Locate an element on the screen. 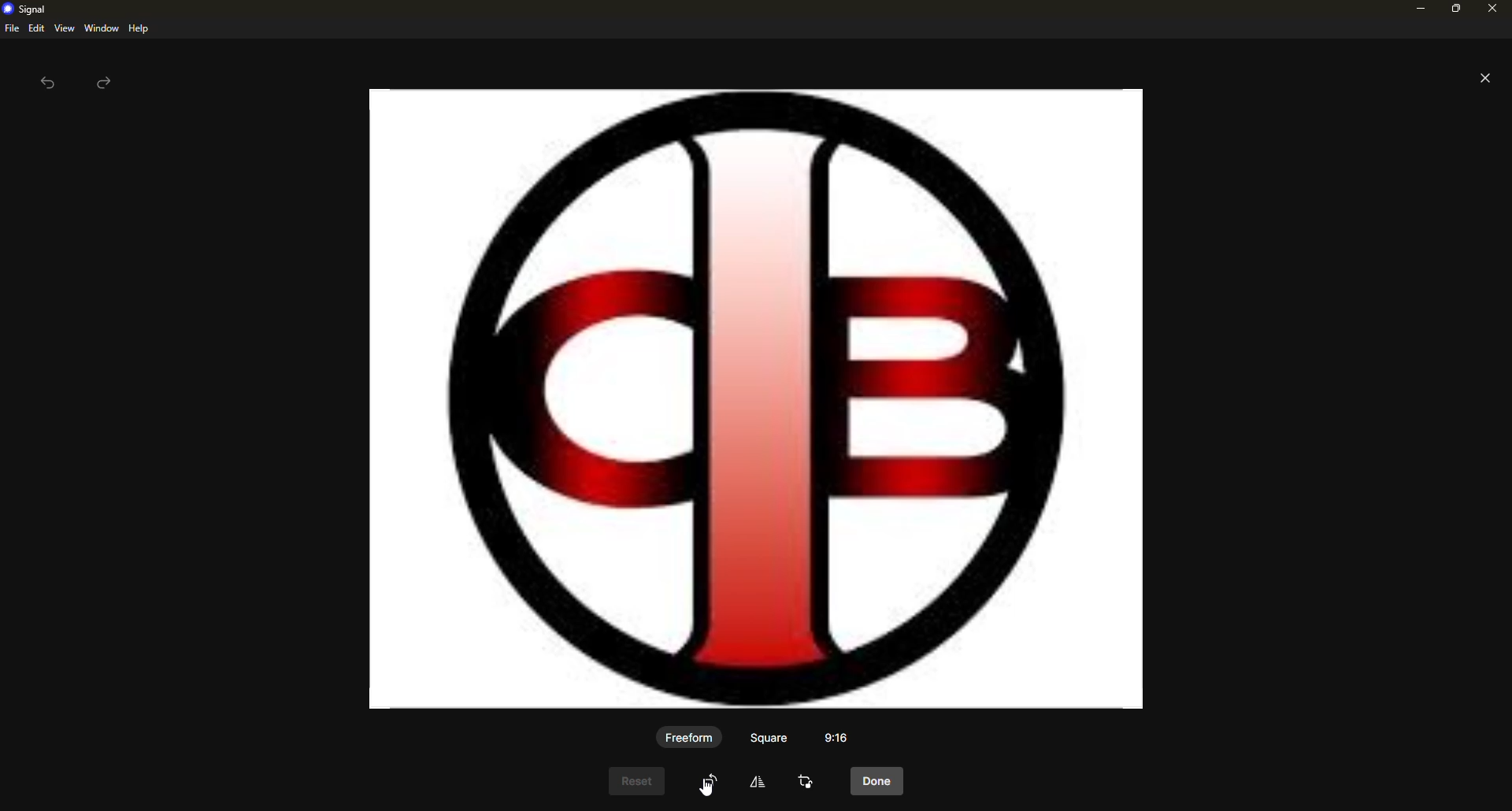 The height and width of the screenshot is (811, 1512). image is located at coordinates (762, 398).